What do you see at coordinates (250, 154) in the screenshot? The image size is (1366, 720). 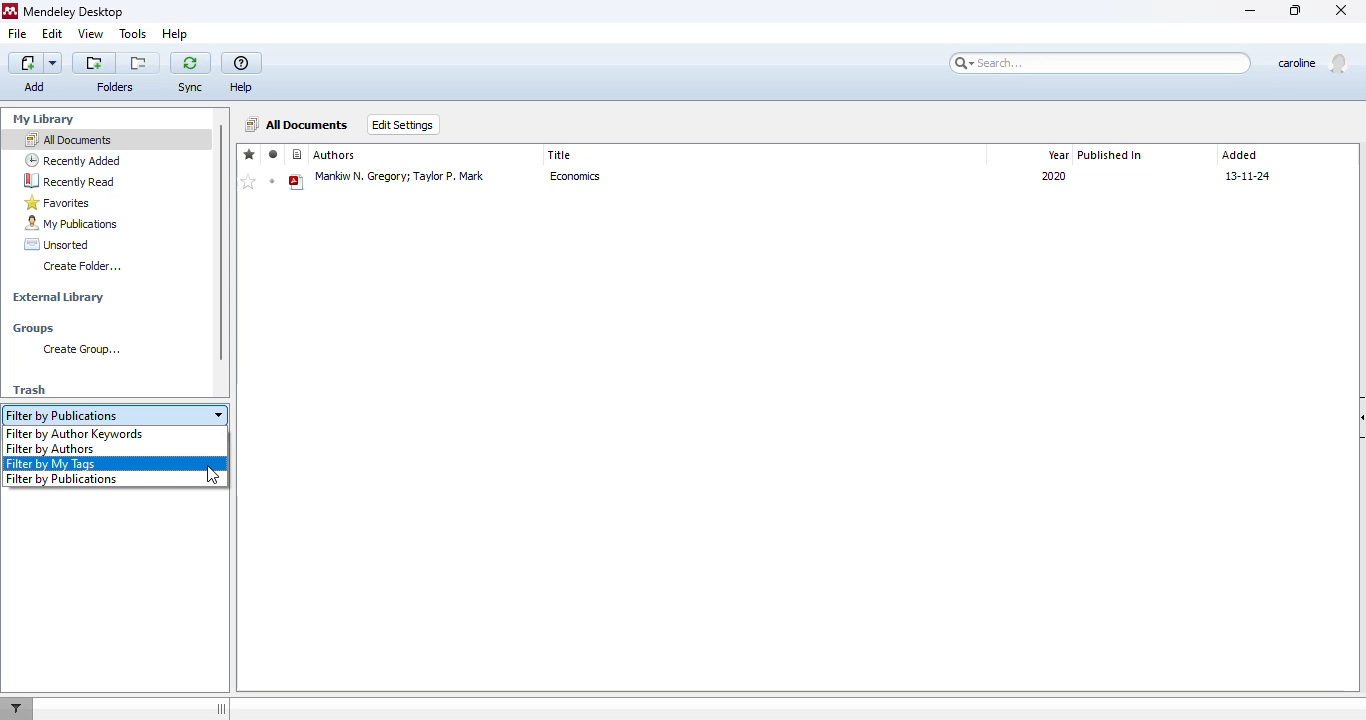 I see `favorites` at bounding box center [250, 154].